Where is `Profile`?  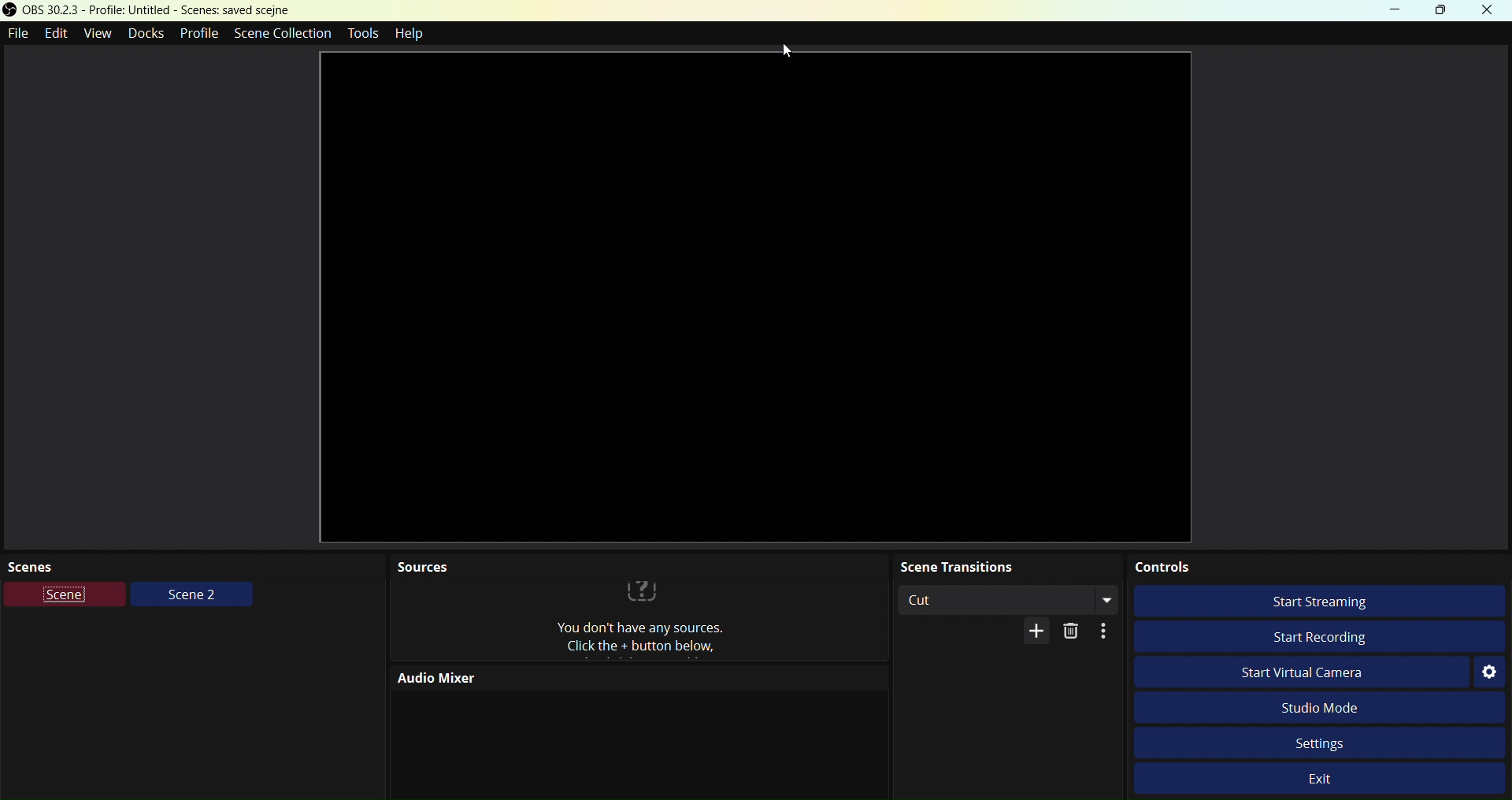 Profile is located at coordinates (199, 35).